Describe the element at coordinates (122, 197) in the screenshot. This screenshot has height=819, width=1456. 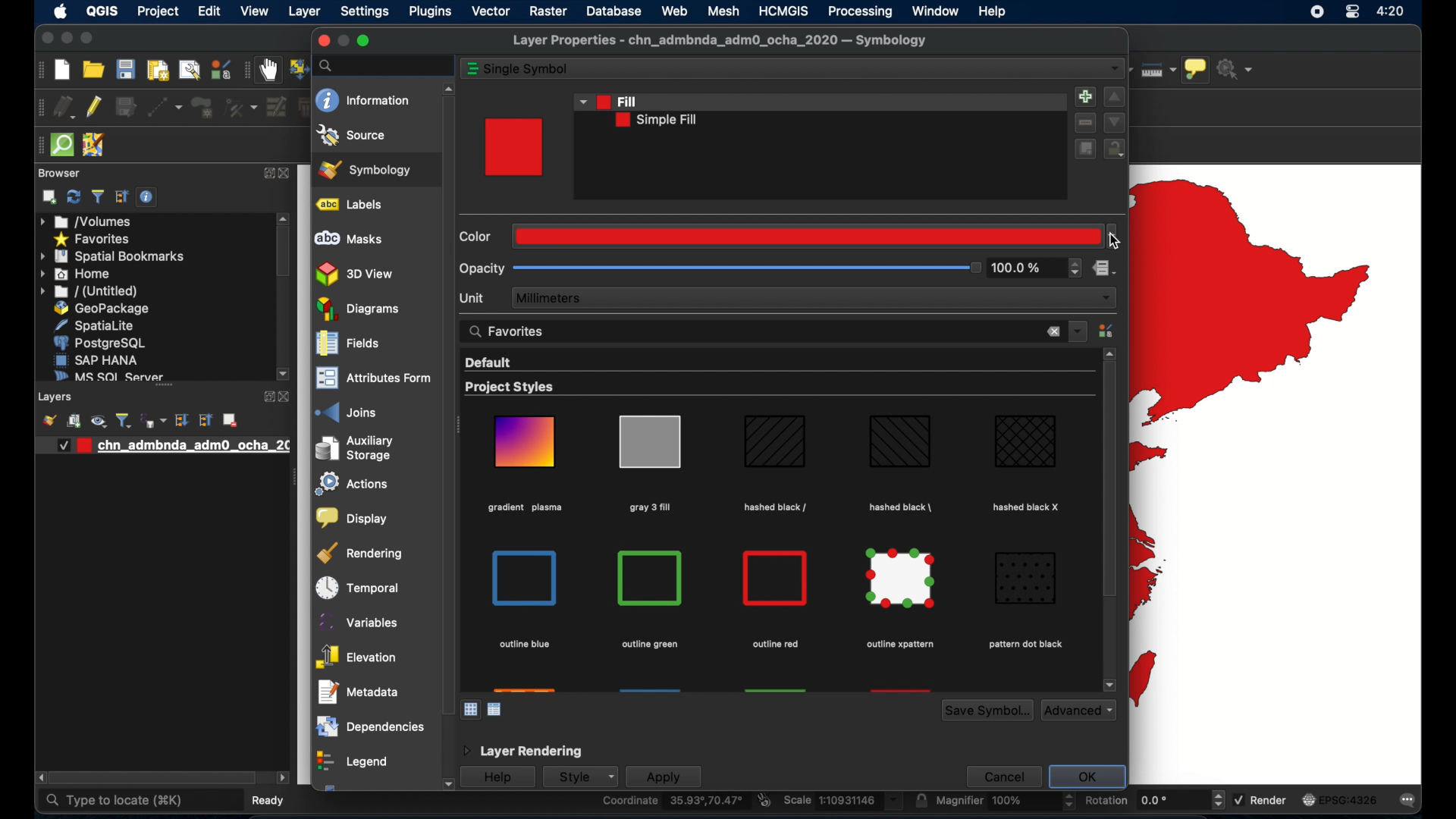
I see `collapse all` at that location.